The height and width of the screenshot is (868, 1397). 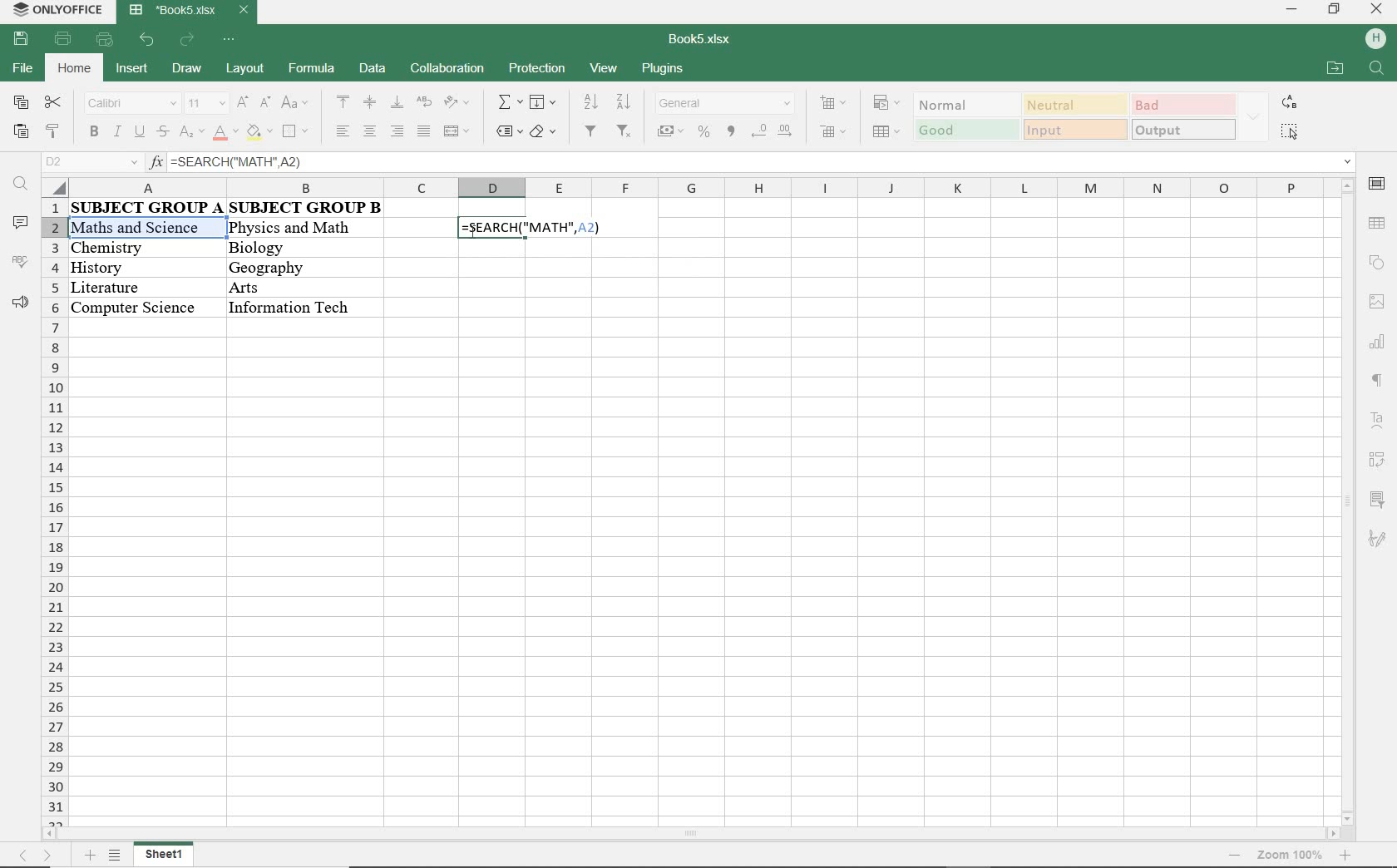 I want to click on copy style, so click(x=52, y=133).